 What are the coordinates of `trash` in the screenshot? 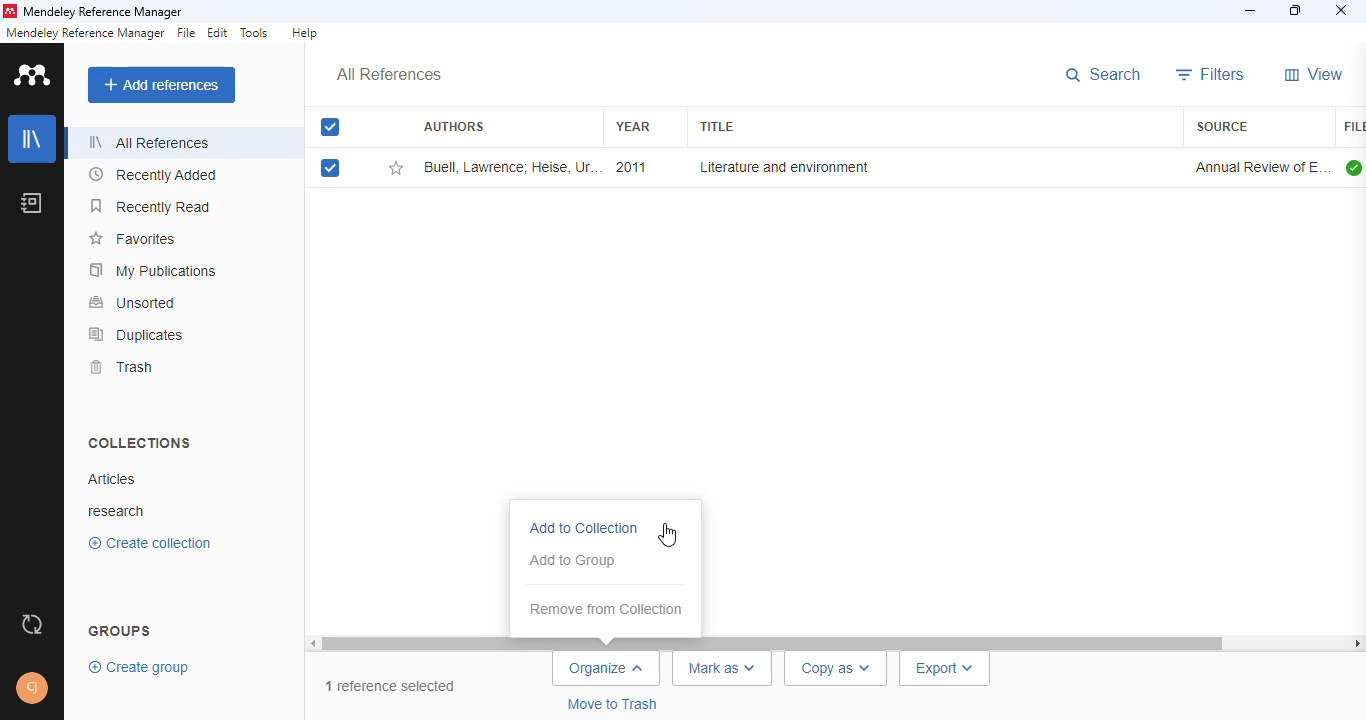 It's located at (122, 367).